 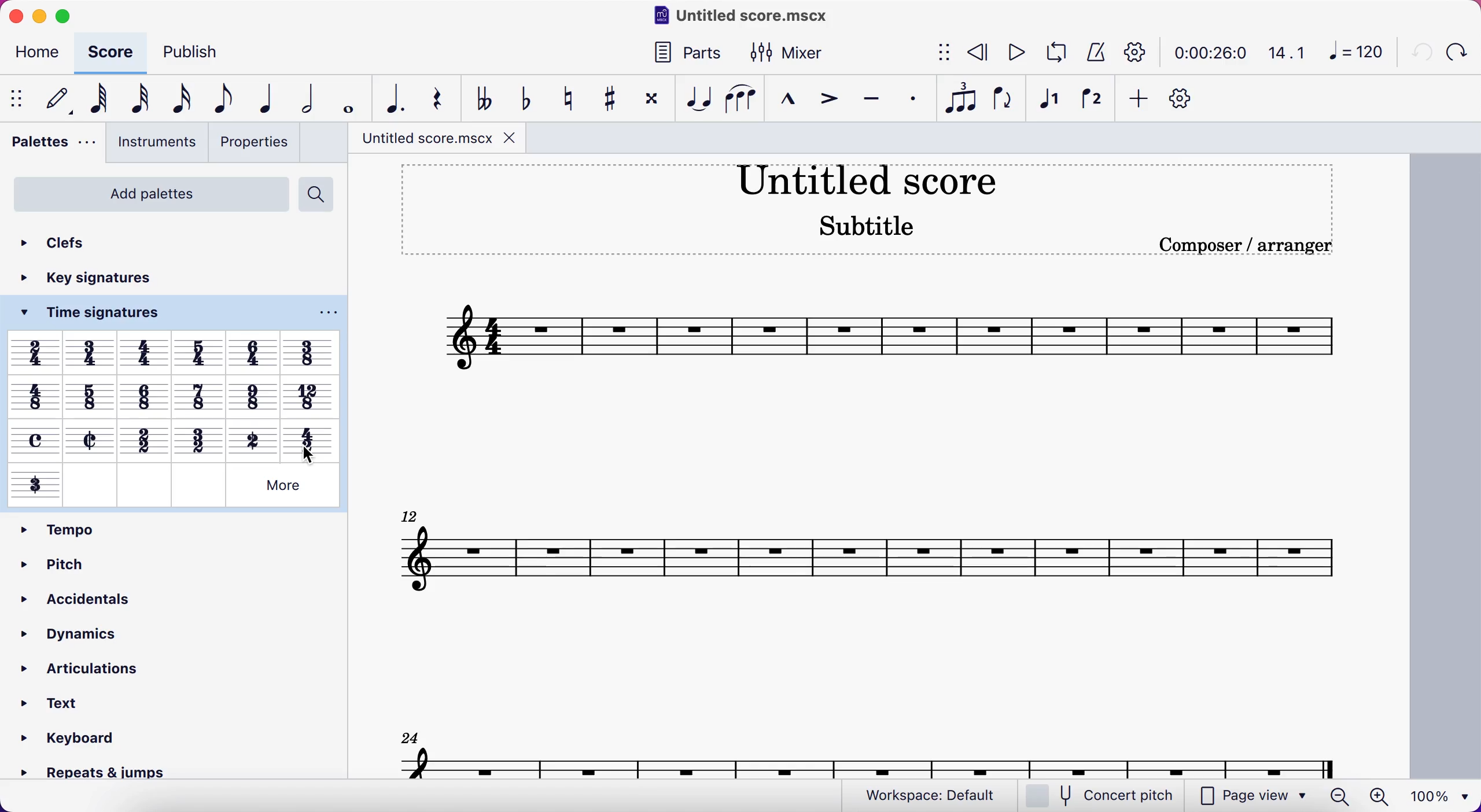 I want to click on customize toolbar, so click(x=1184, y=98).